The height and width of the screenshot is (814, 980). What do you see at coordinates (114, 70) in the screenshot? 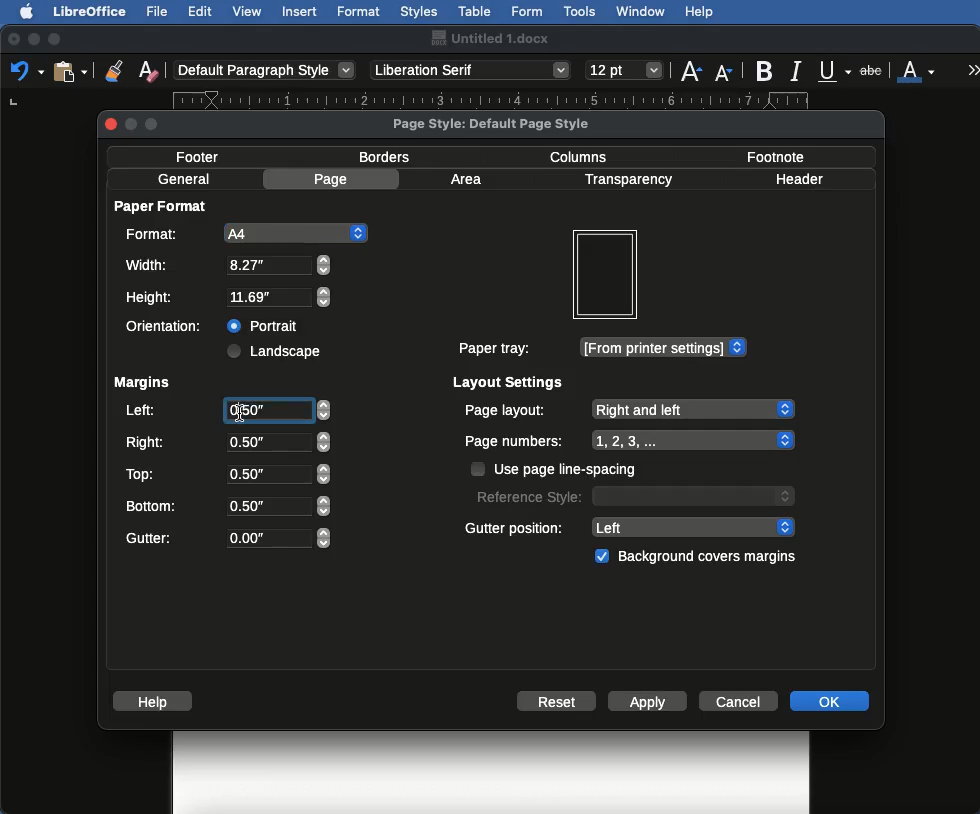
I see `Clone formatting` at bounding box center [114, 70].